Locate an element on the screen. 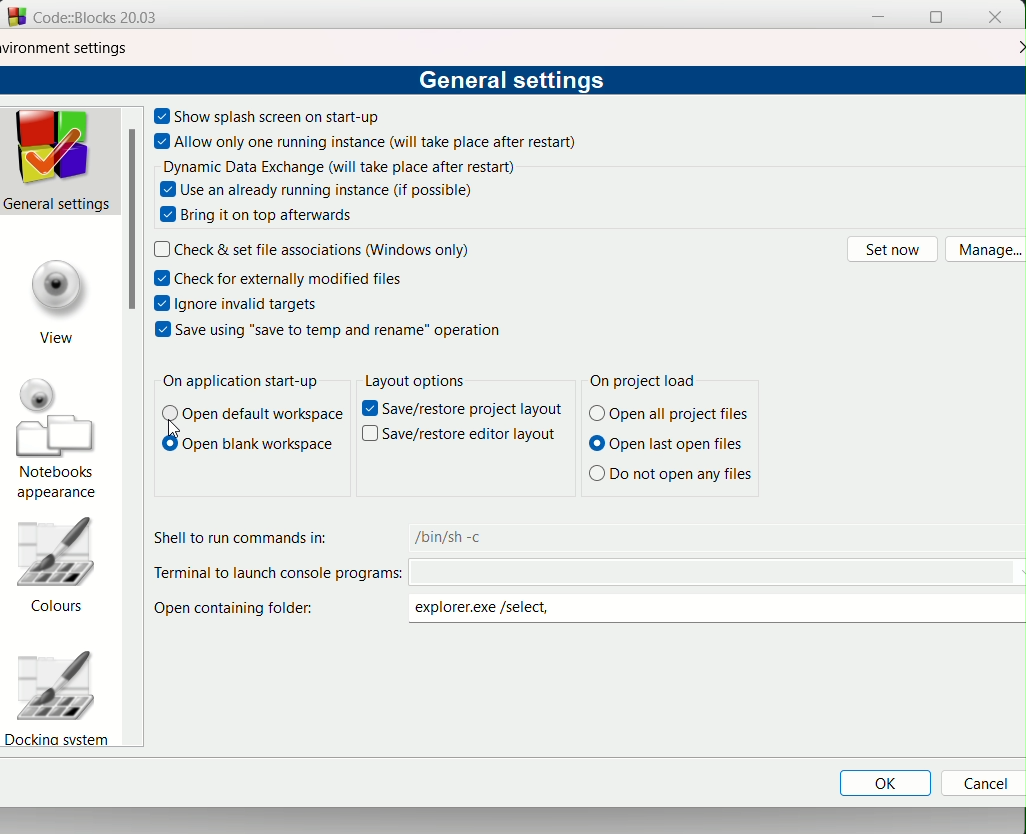  Code:Blocks 20.03 is located at coordinates (106, 17).